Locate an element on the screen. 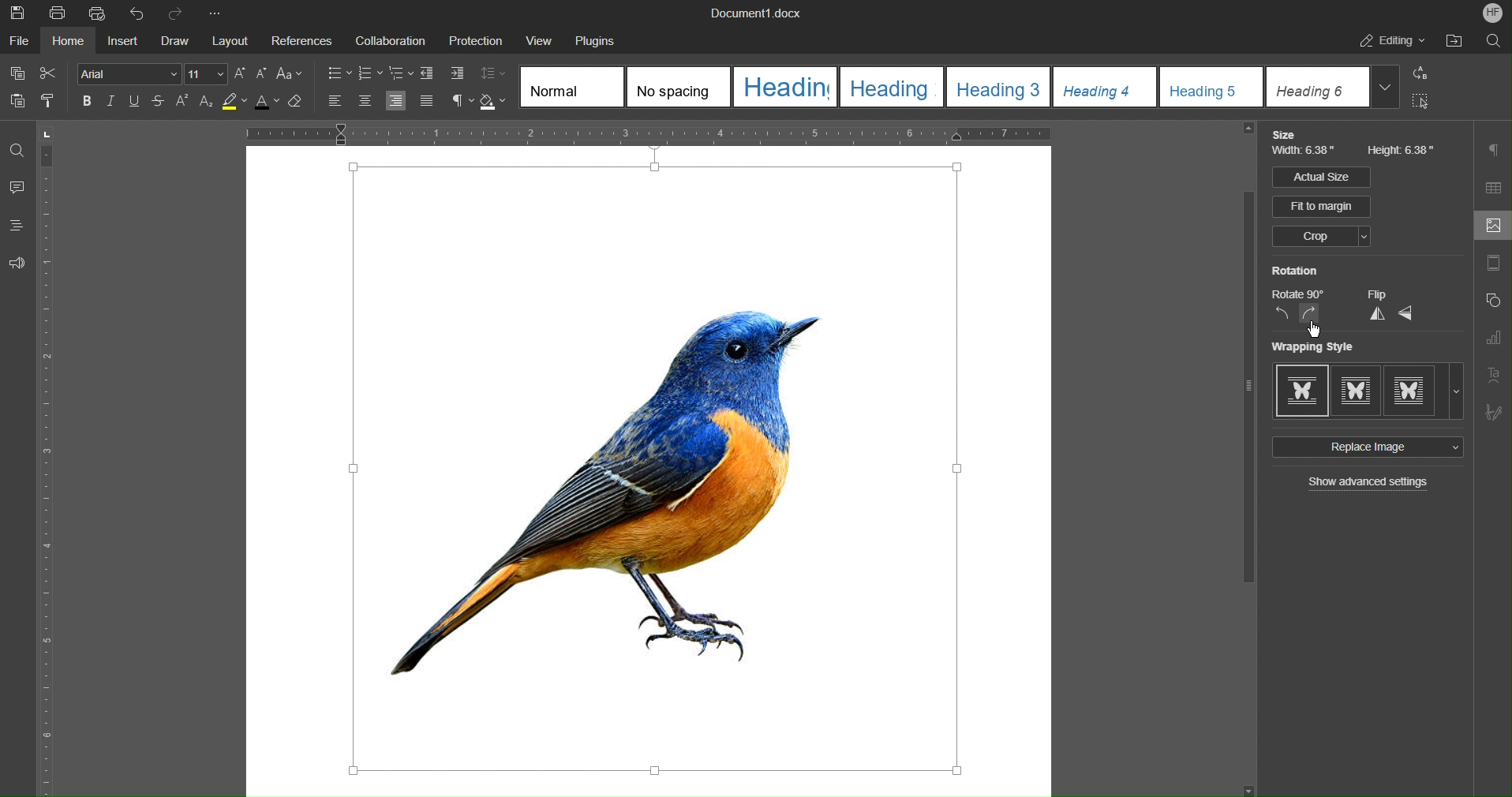 This screenshot has height=797, width=1512. Wrapping Style Options is located at coordinates (1368, 391).